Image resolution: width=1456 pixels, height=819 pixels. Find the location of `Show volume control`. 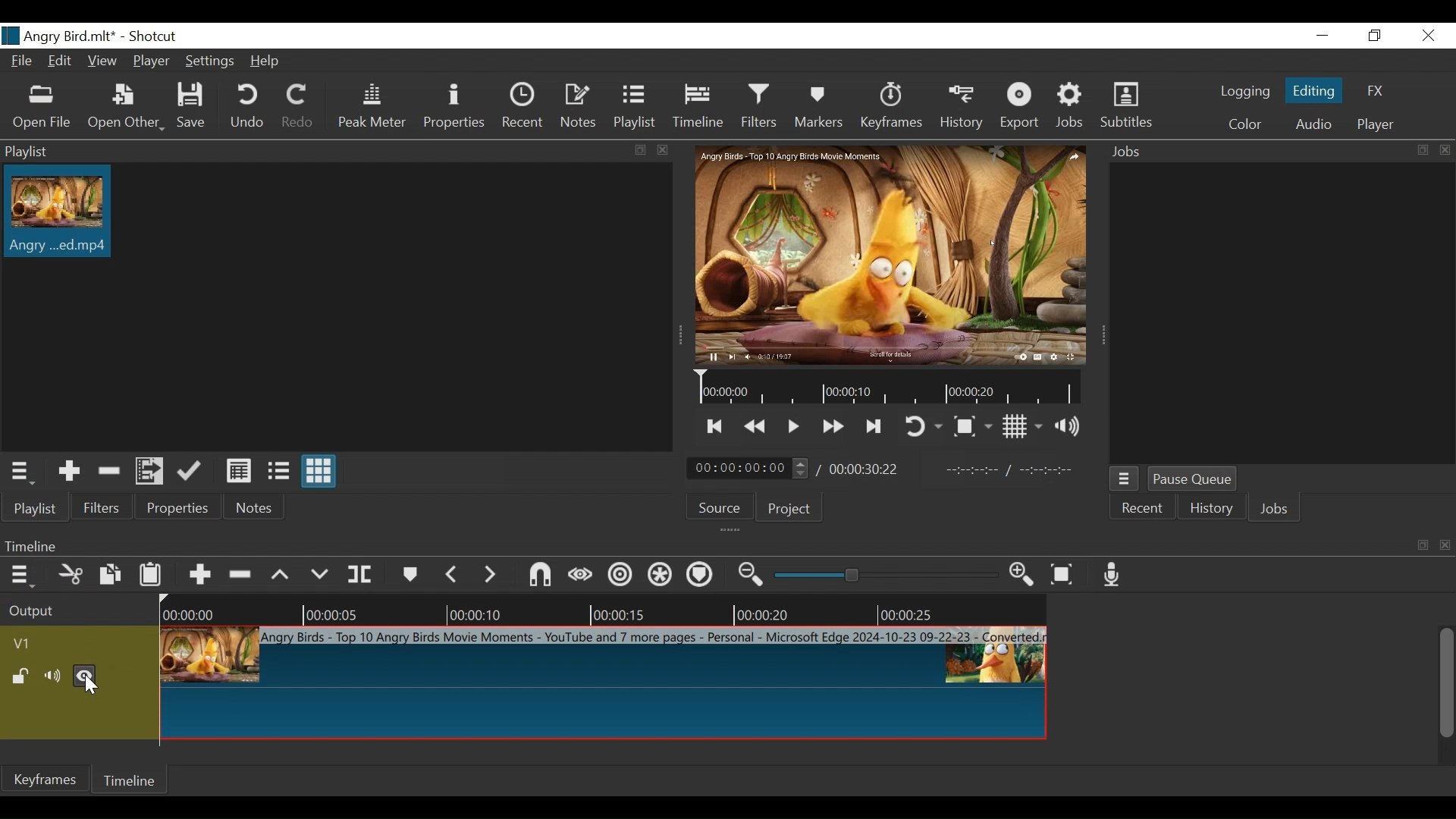

Show volume control is located at coordinates (1068, 425).